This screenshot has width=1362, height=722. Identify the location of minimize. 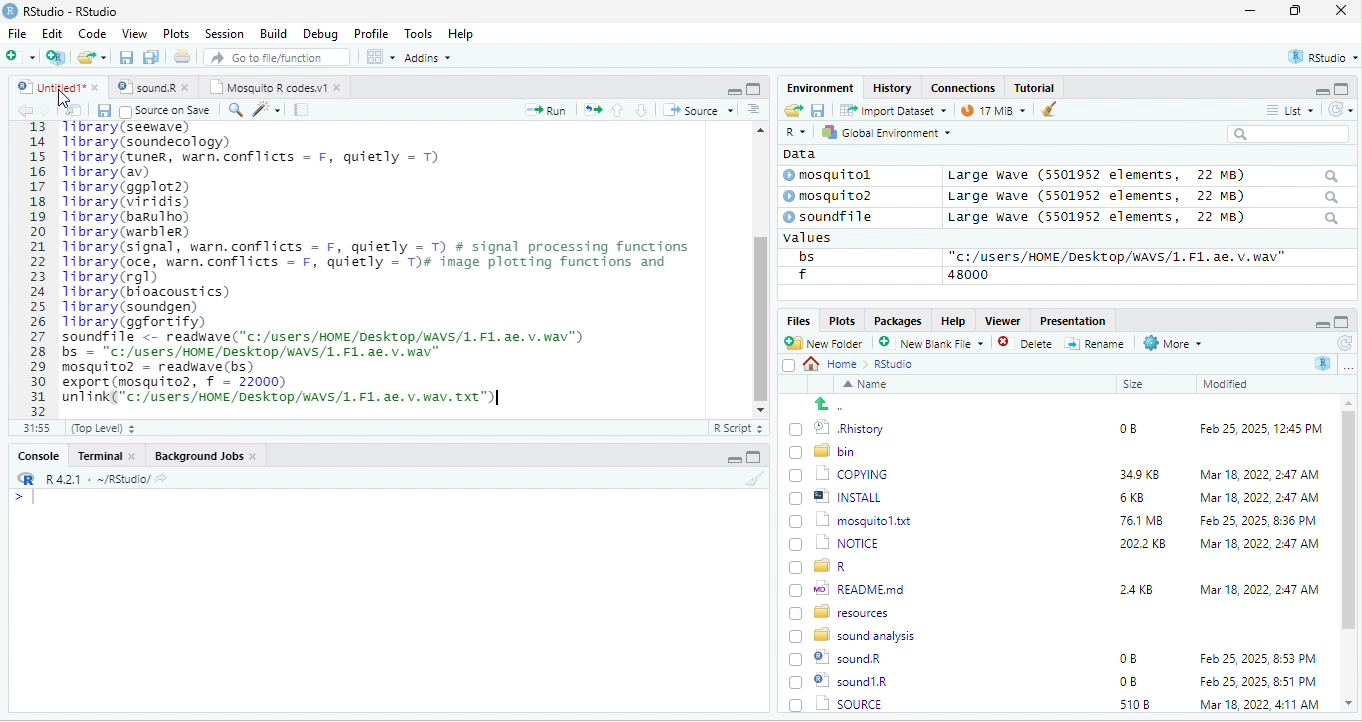
(733, 90).